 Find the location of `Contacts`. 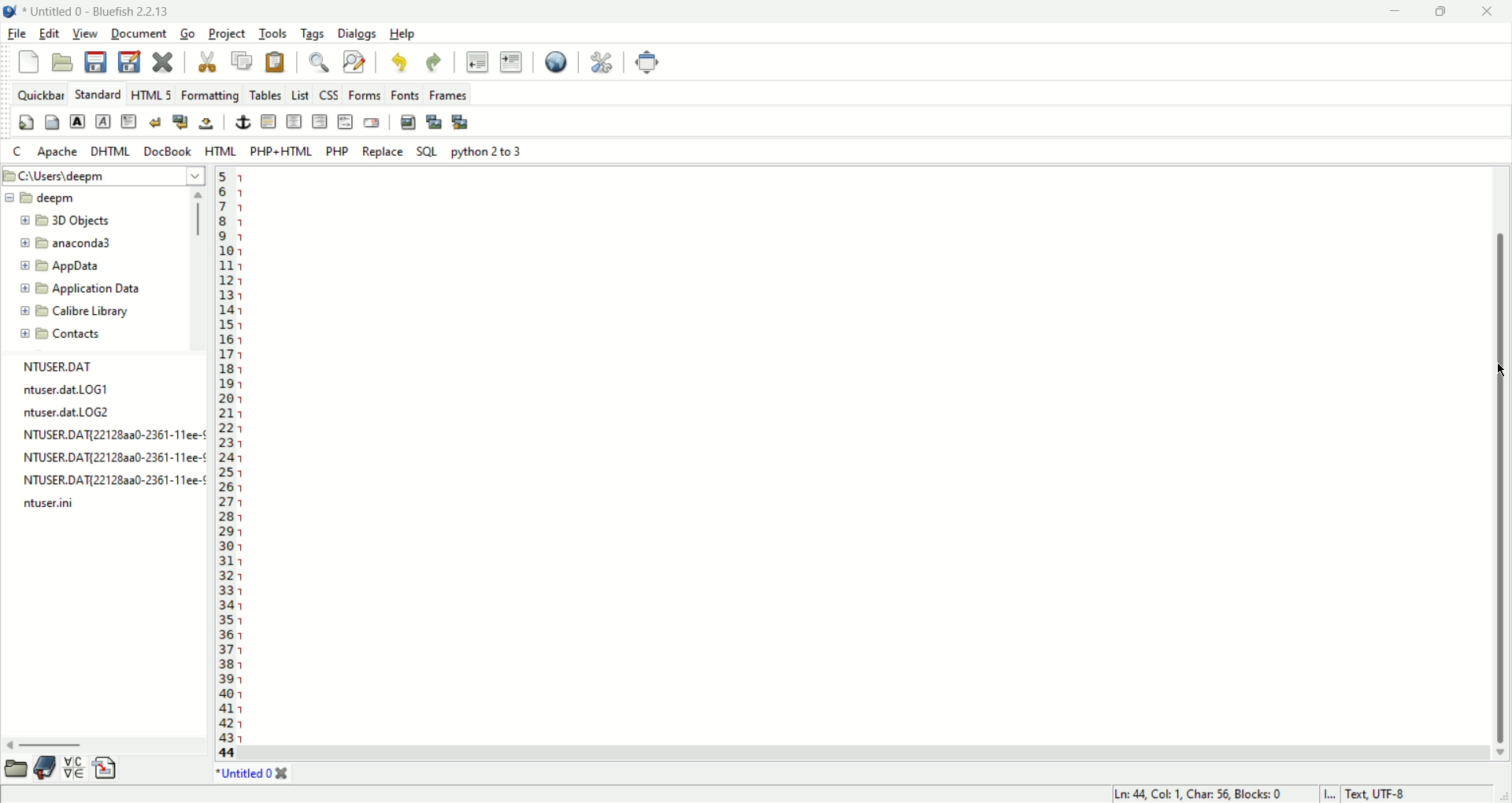

Contacts is located at coordinates (72, 334).